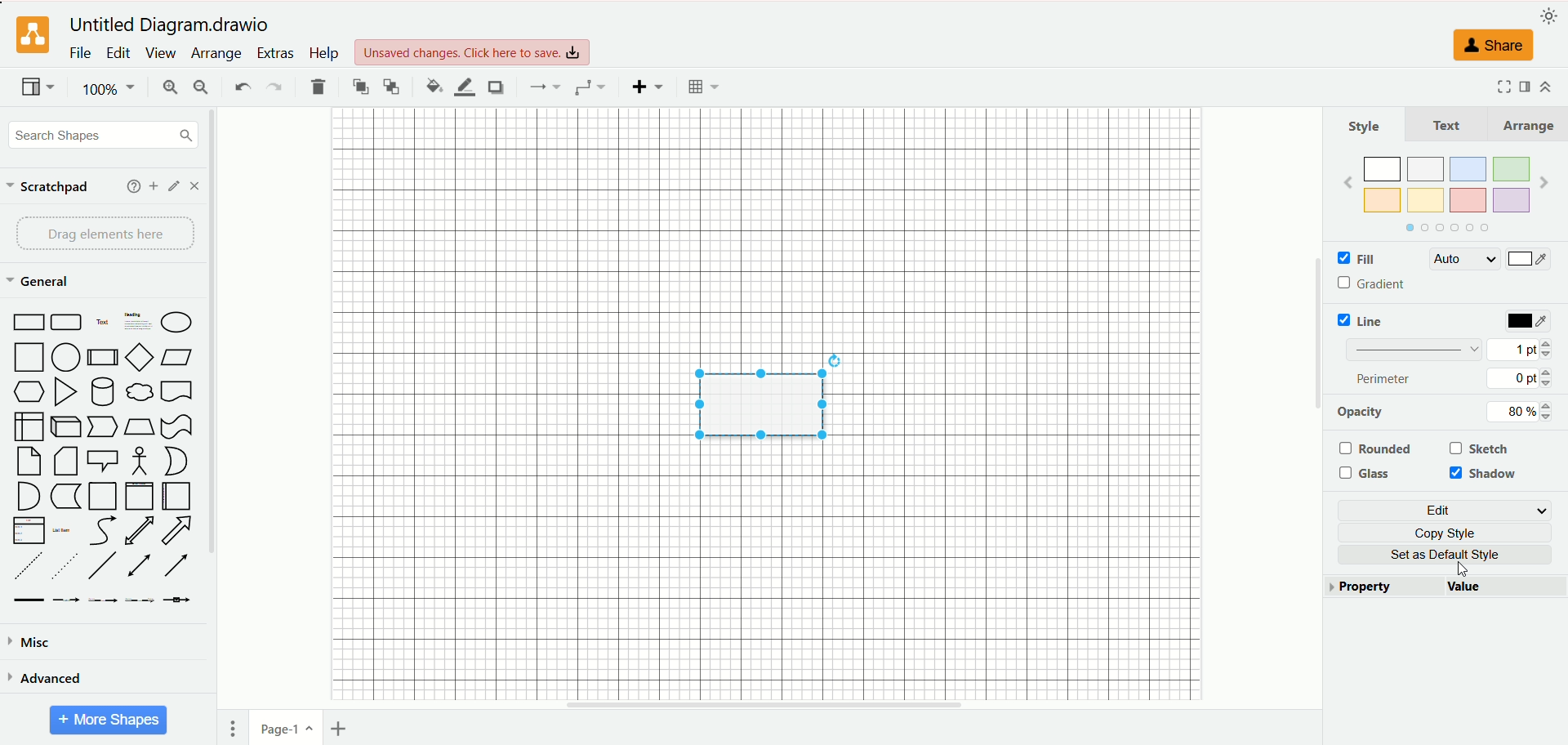  Describe the element at coordinates (1369, 474) in the screenshot. I see `glass` at that location.